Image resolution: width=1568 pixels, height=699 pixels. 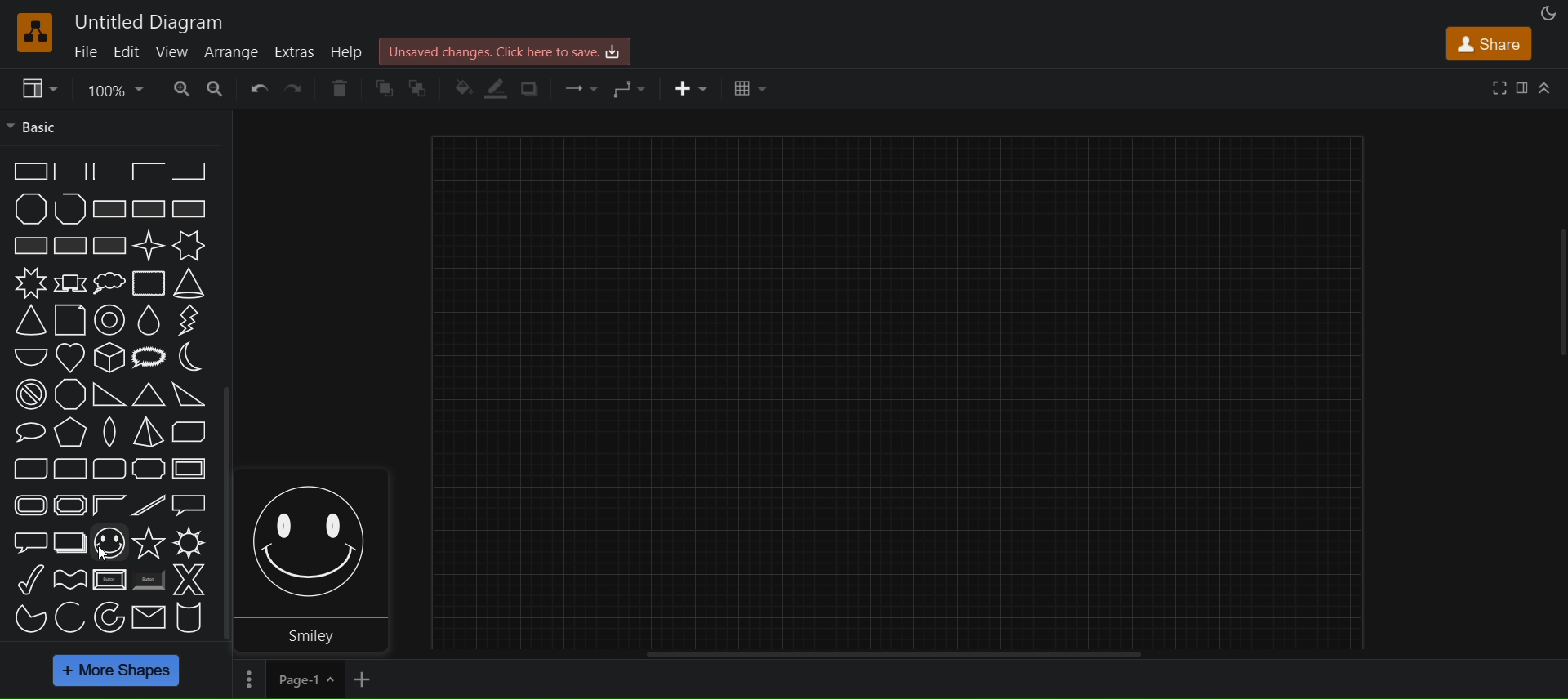 I want to click on more shapes, so click(x=116, y=671).